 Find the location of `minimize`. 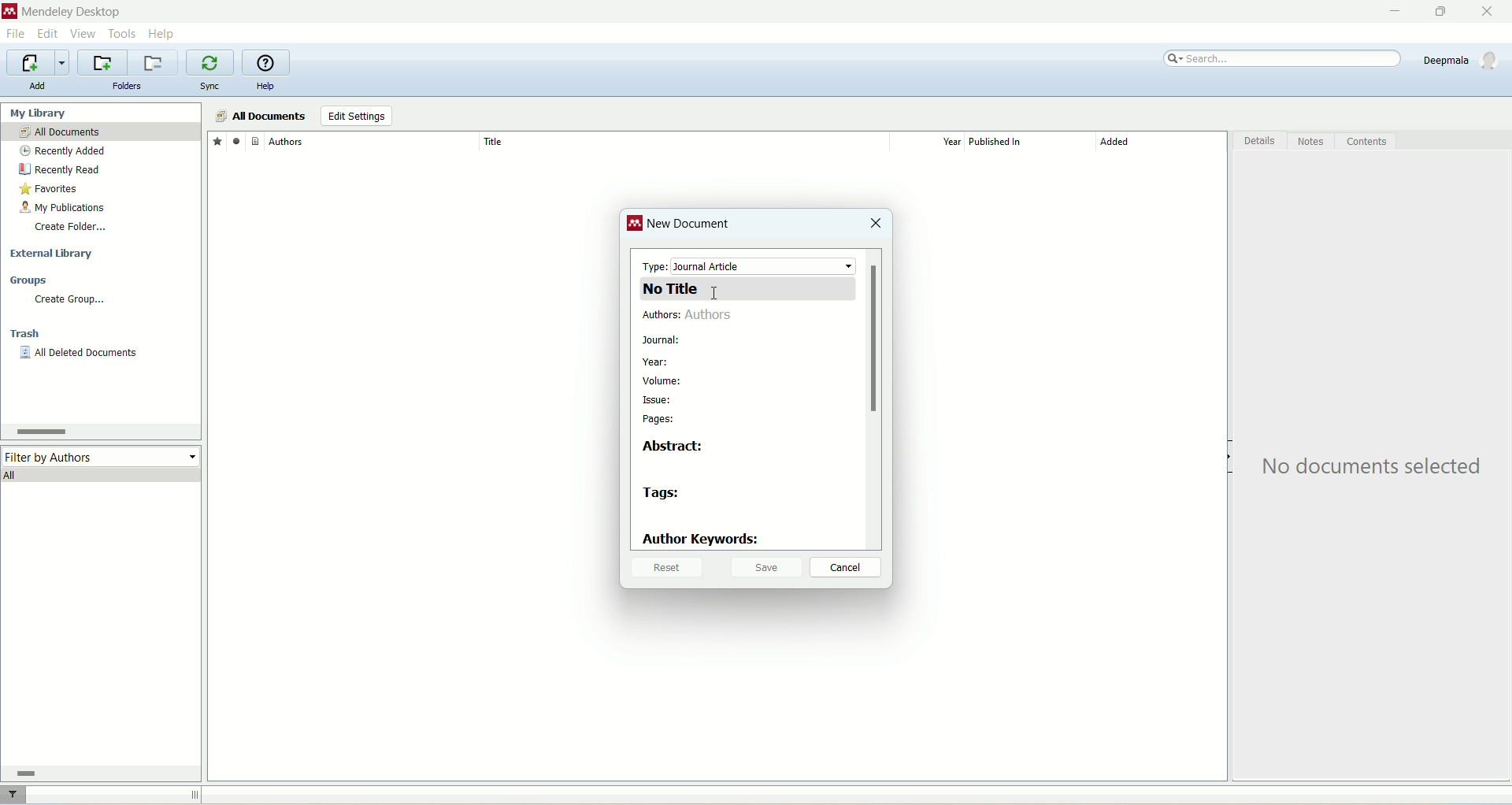

minimize is located at coordinates (1392, 12).